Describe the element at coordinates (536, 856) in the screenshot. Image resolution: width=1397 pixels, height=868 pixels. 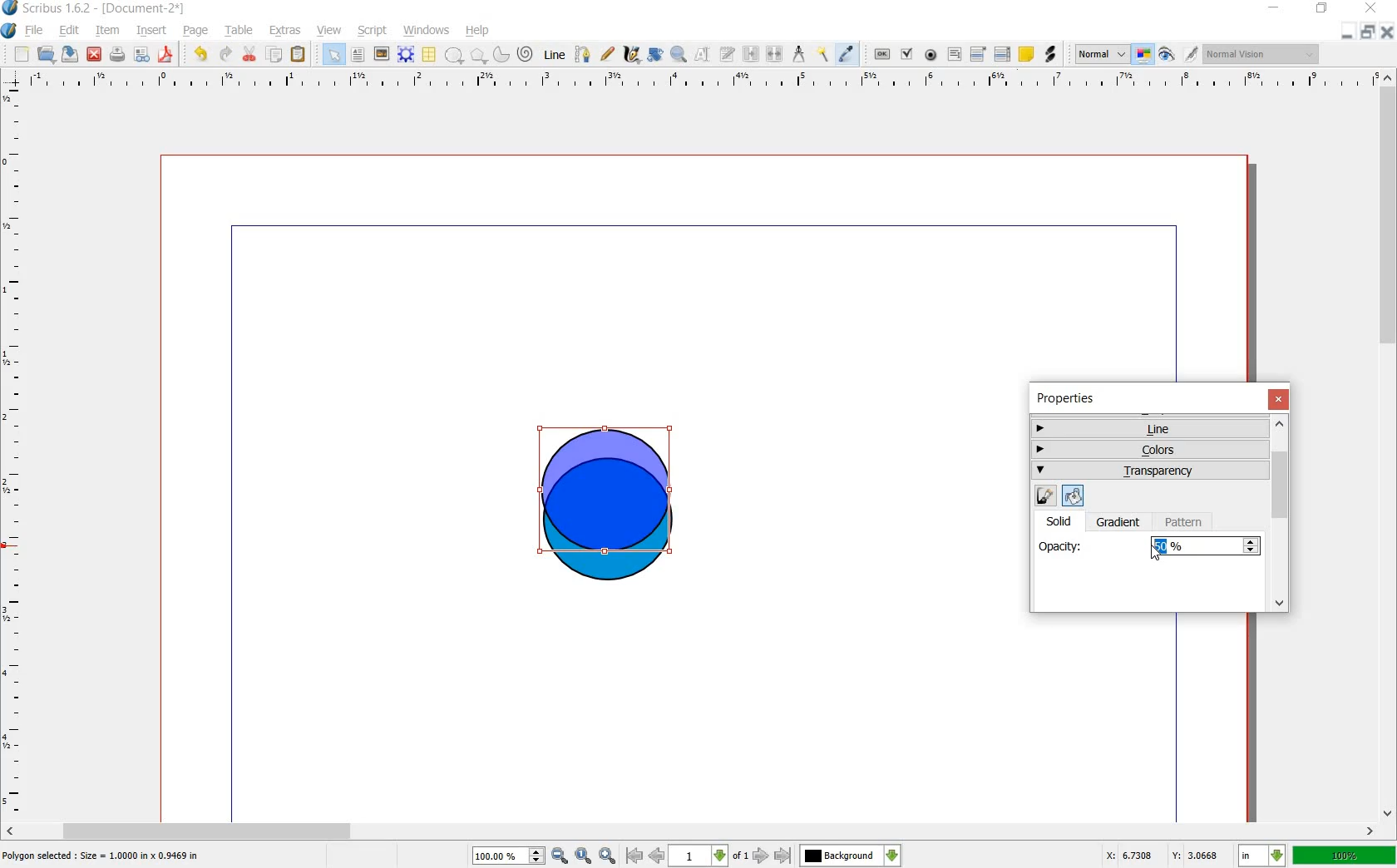
I see `increase or decrease zoom` at that location.